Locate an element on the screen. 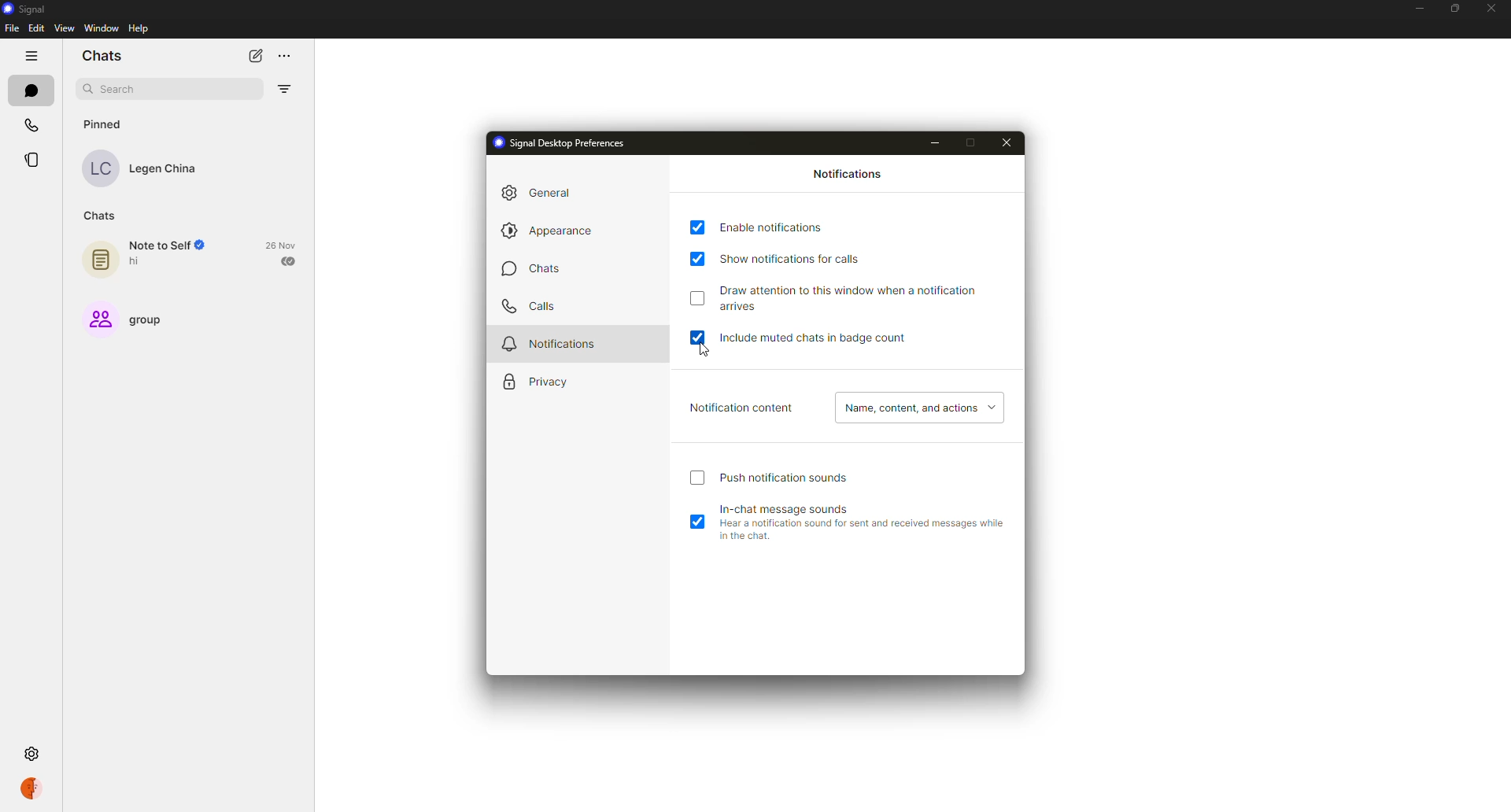  calls is located at coordinates (33, 124).